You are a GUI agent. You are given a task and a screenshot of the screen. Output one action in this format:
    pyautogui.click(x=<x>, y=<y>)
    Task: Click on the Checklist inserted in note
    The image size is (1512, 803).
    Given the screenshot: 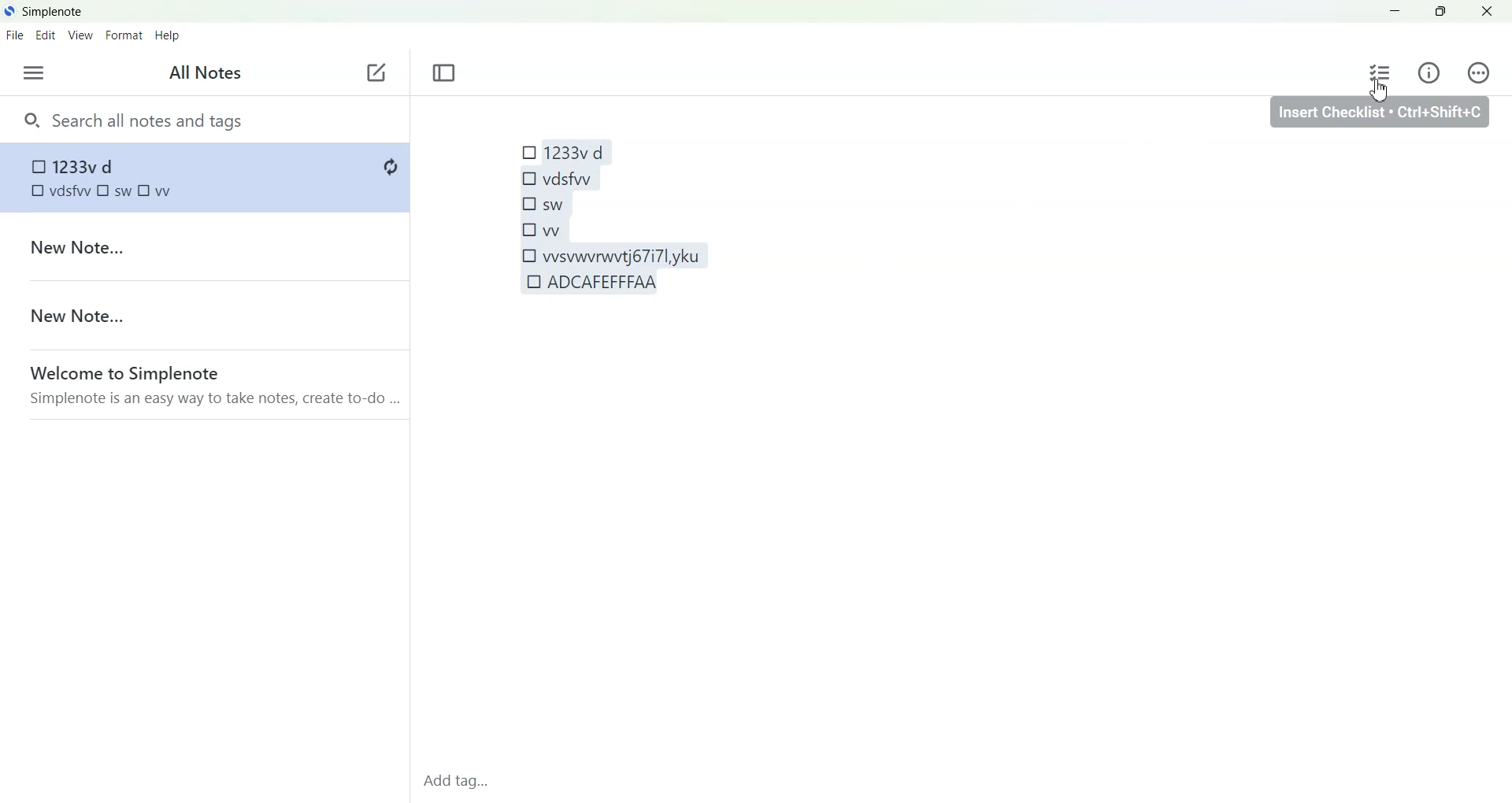 What is the action you would take?
    pyautogui.click(x=202, y=176)
    